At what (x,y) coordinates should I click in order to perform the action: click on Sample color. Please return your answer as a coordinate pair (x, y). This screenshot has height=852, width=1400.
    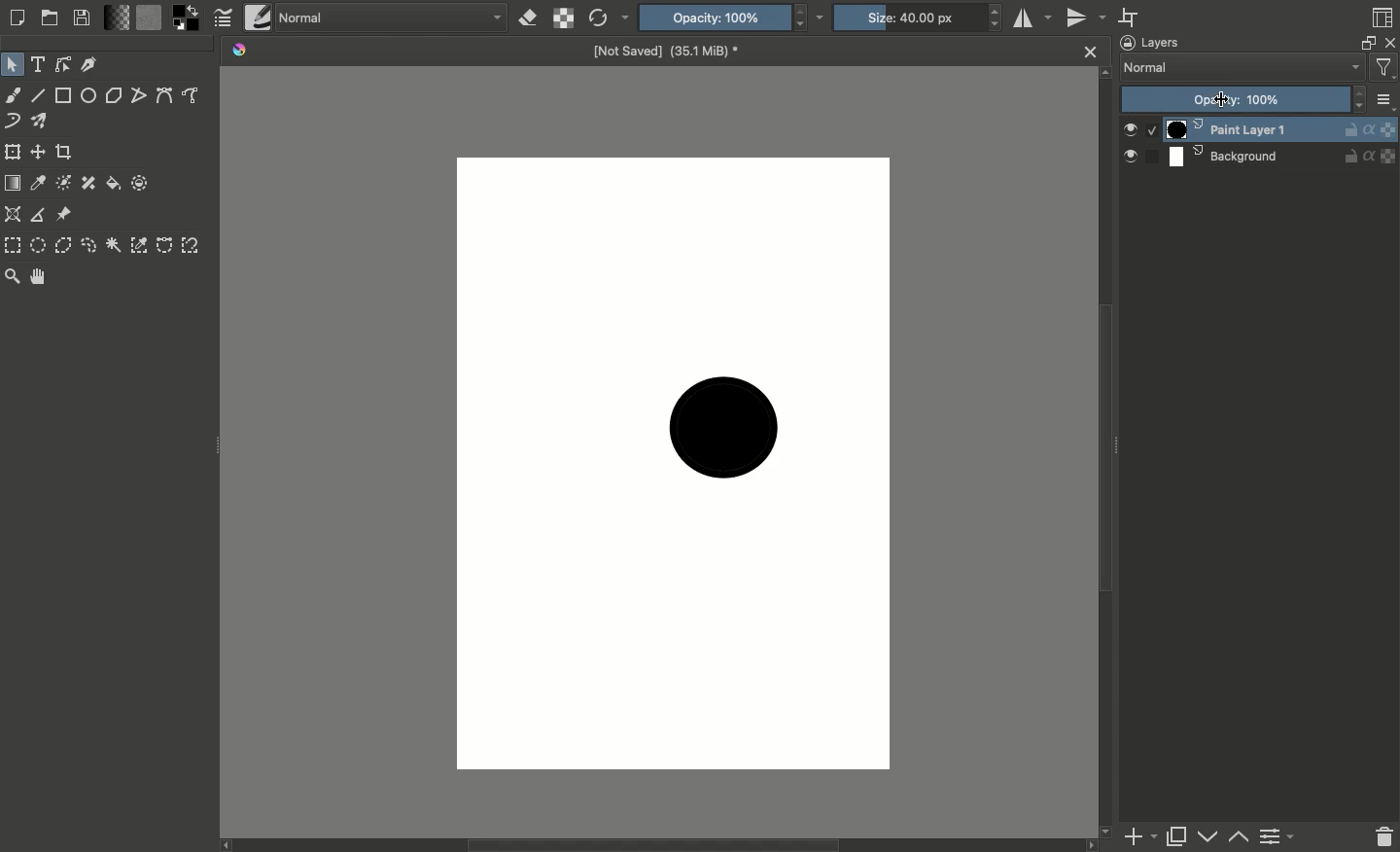
    Looking at the image, I should click on (39, 183).